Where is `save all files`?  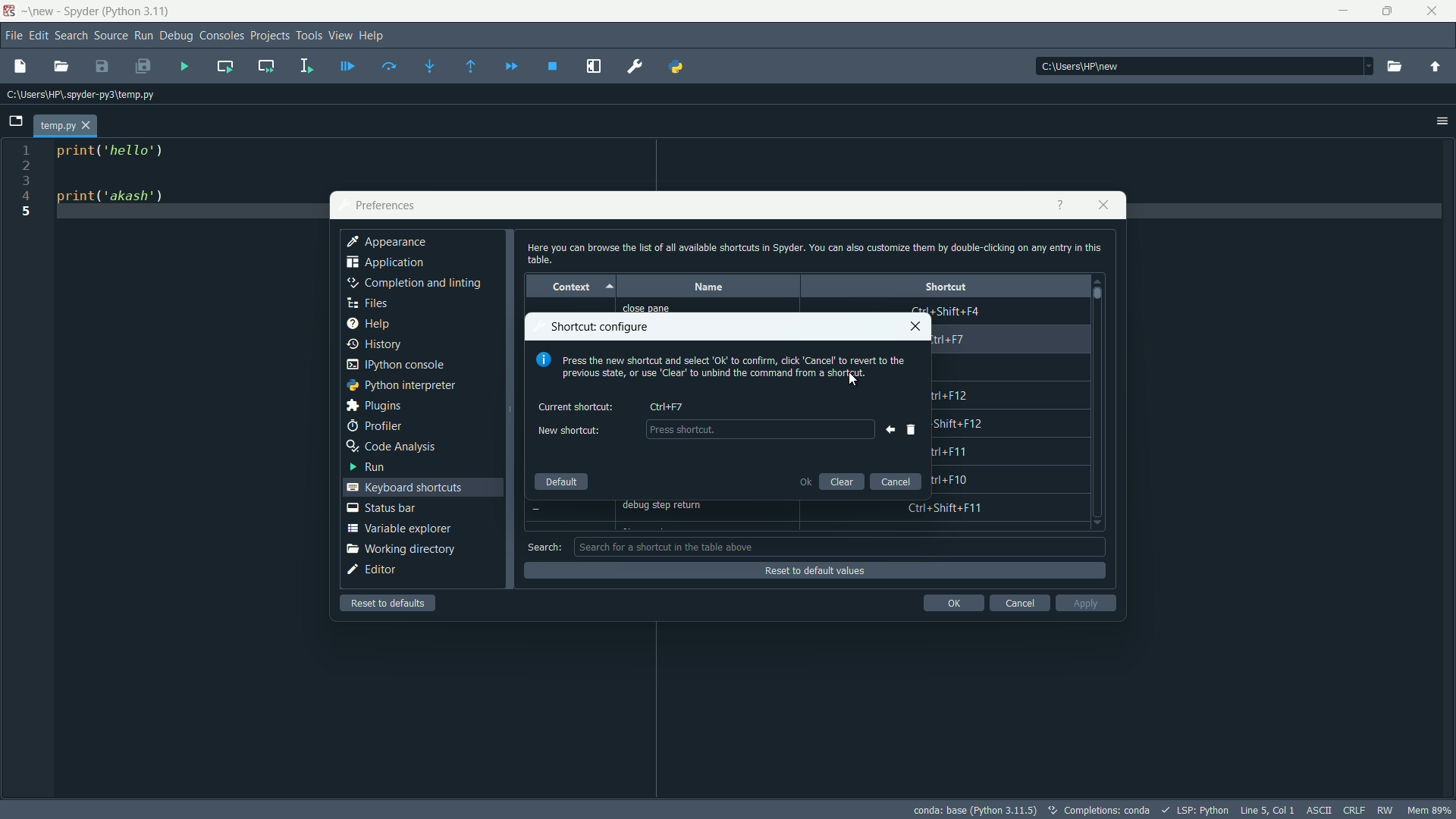 save all files is located at coordinates (143, 67).